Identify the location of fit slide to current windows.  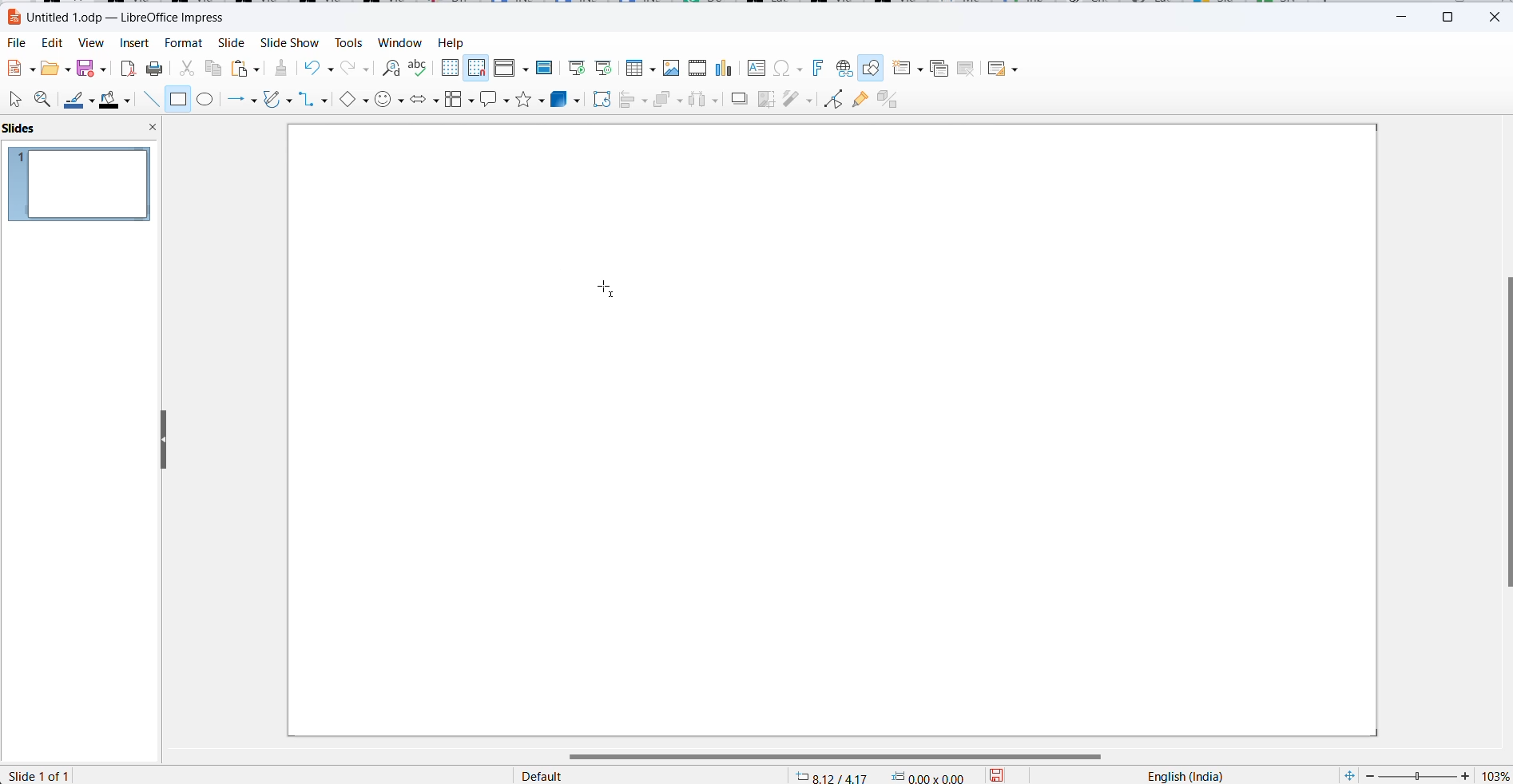
(1347, 775).